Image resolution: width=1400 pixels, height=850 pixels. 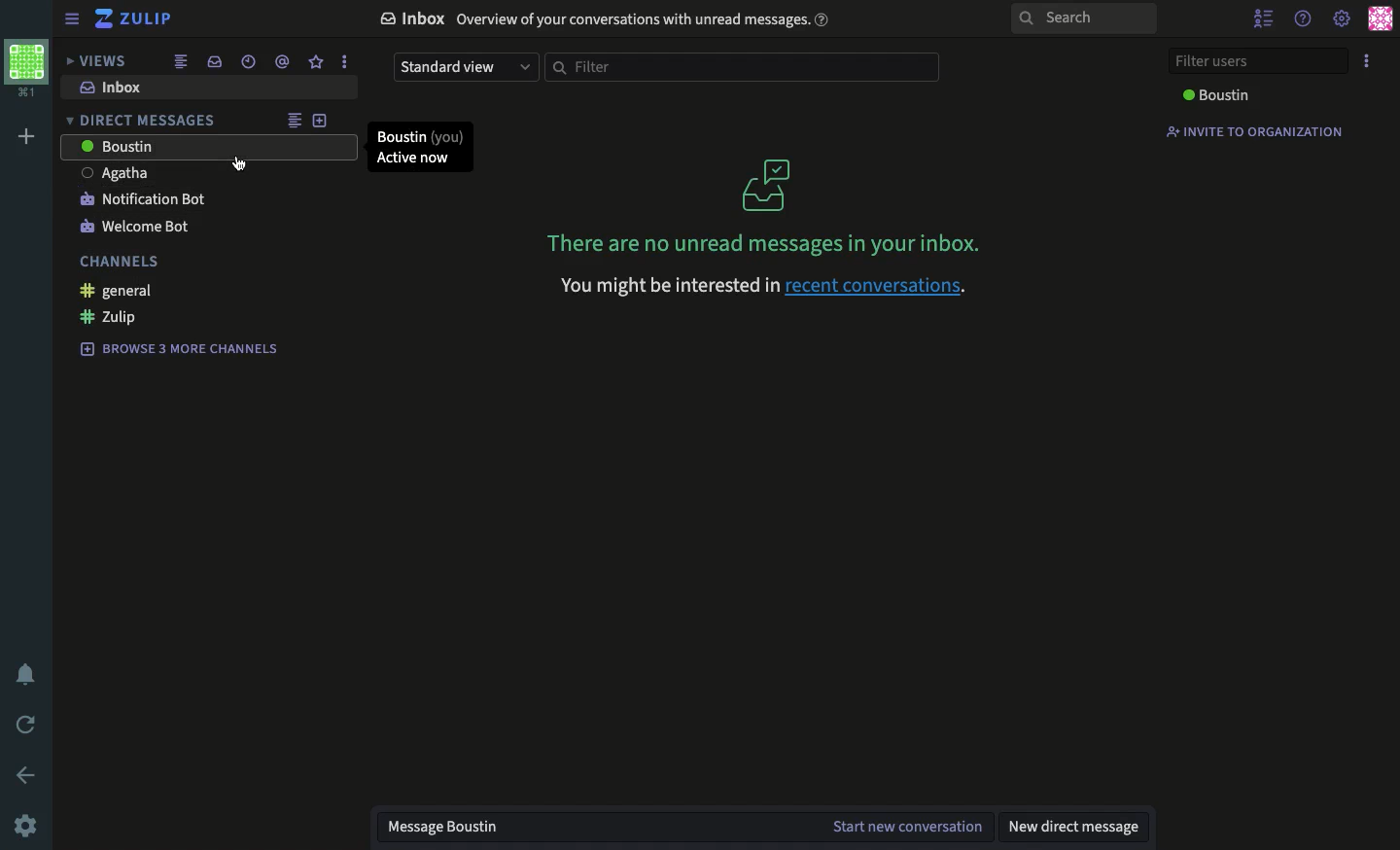 I want to click on filter users, so click(x=1259, y=61).